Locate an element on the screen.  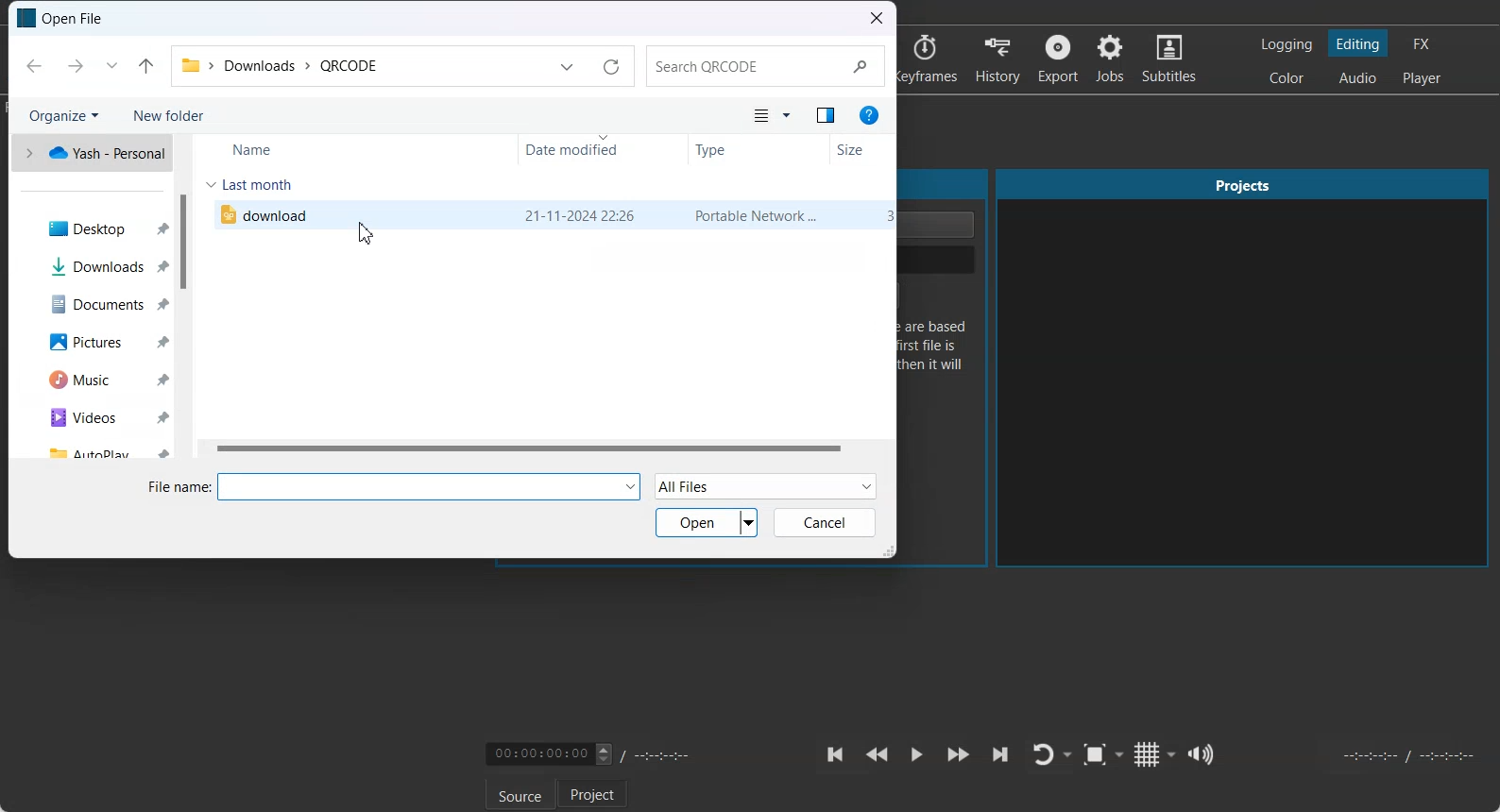
Timing  is located at coordinates (661, 755).